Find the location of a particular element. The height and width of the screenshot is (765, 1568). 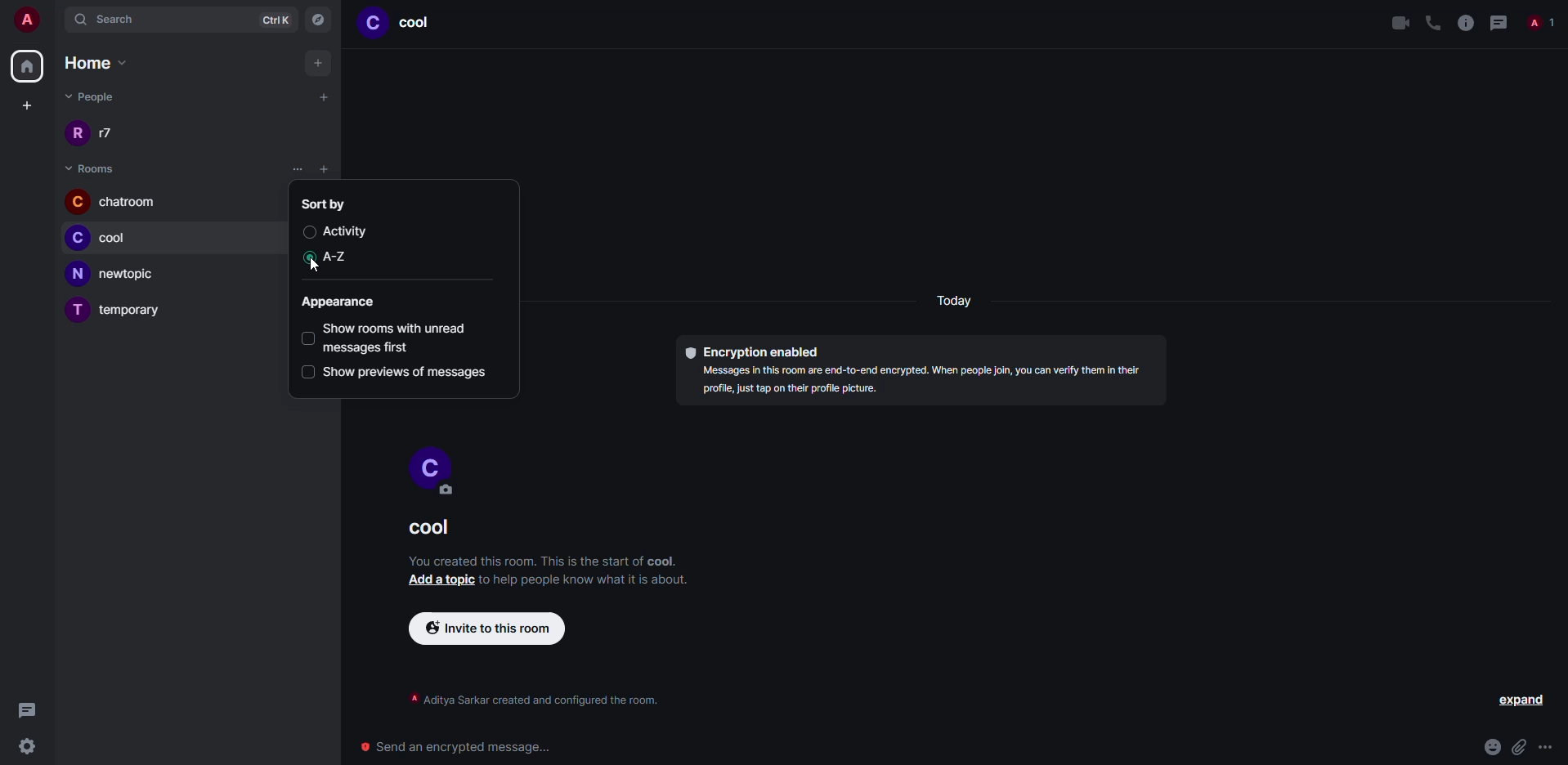

cursor is located at coordinates (321, 269).